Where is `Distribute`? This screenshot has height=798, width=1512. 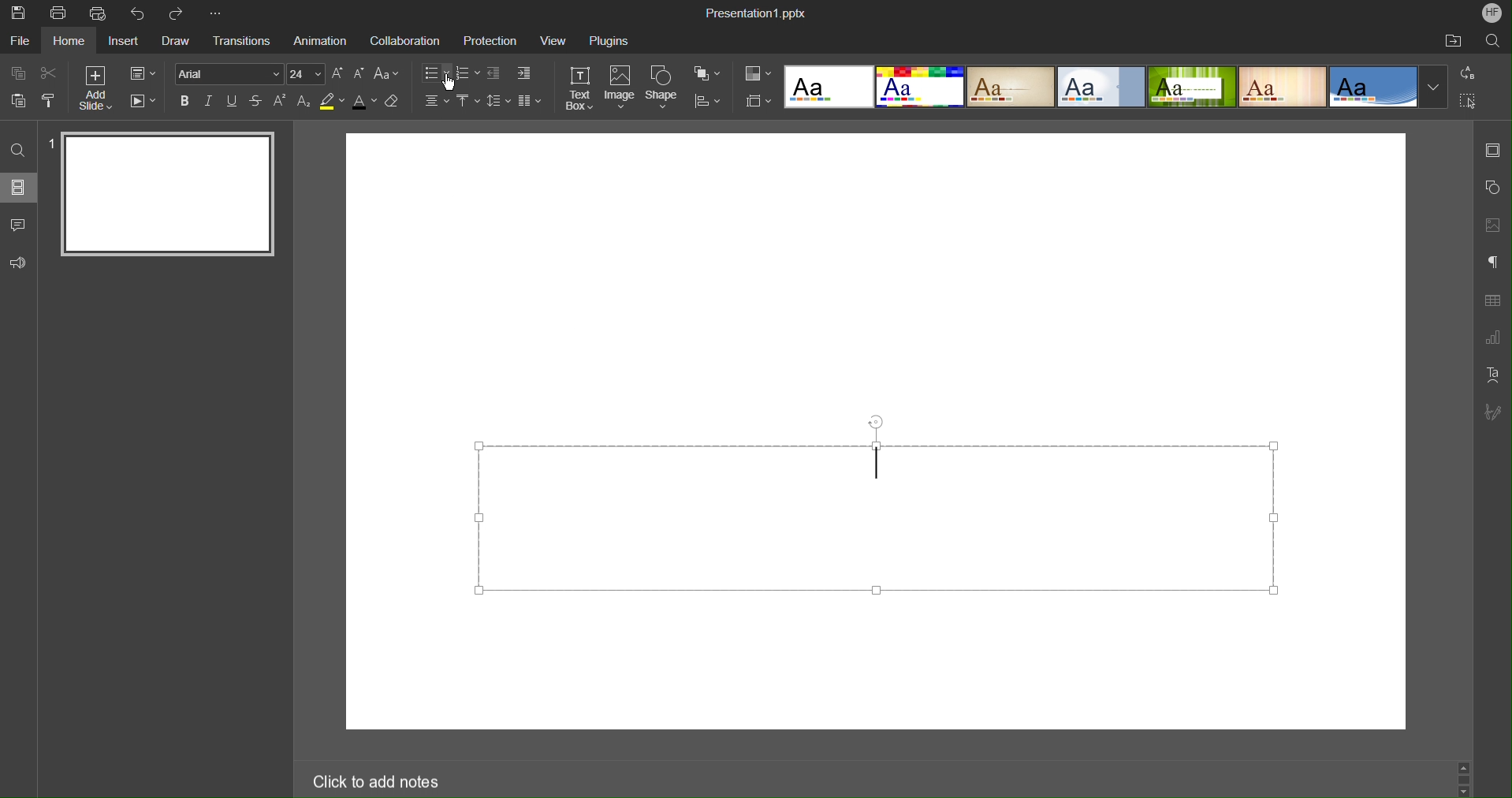
Distribute is located at coordinates (709, 101).